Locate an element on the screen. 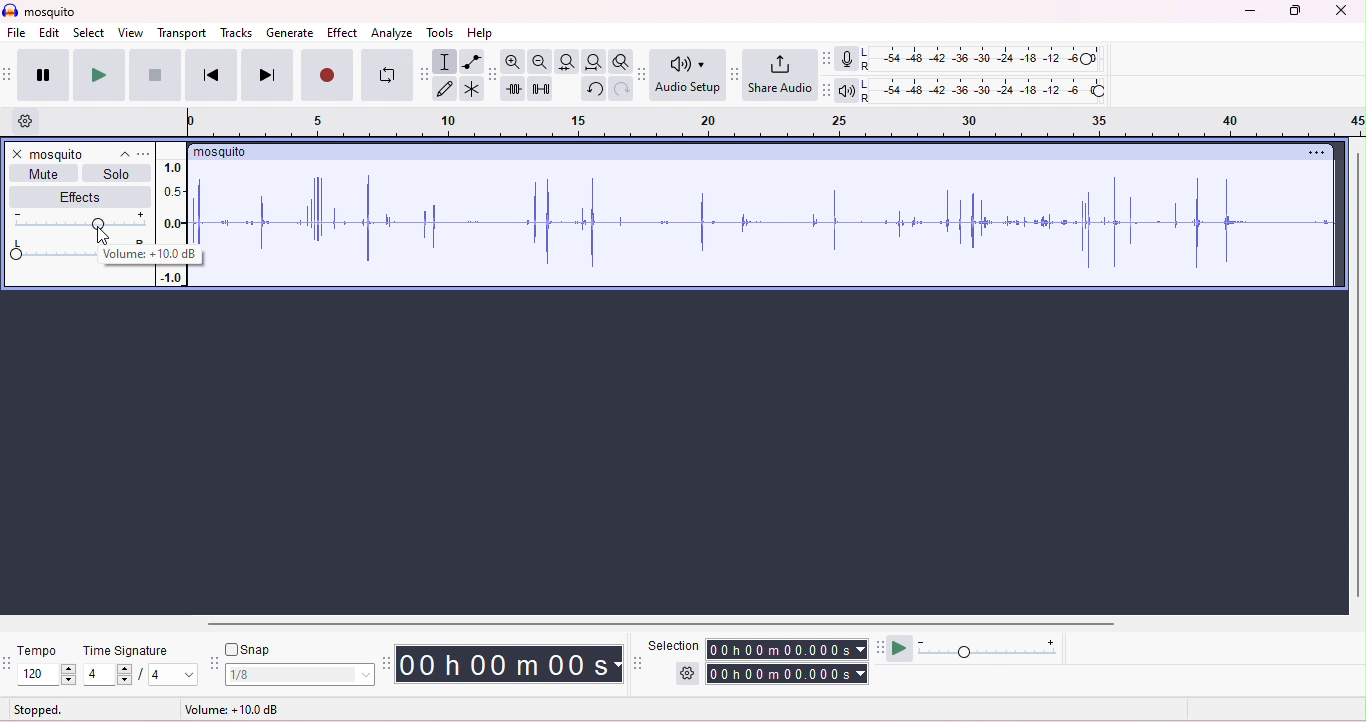 Image resolution: width=1366 pixels, height=722 pixels. track title is located at coordinates (220, 152).